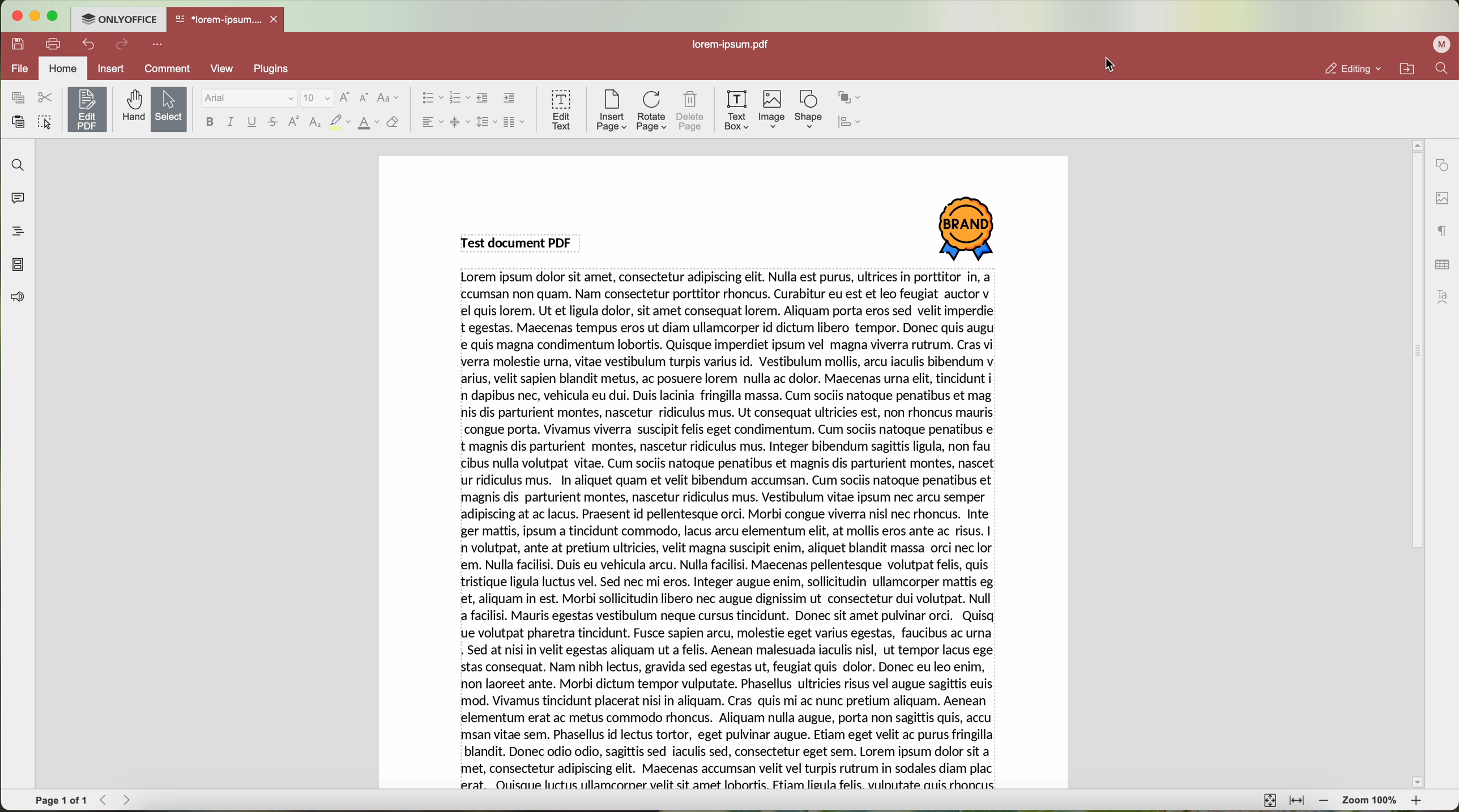  What do you see at coordinates (118, 20) in the screenshot?
I see `ONLYOFFICE` at bounding box center [118, 20].